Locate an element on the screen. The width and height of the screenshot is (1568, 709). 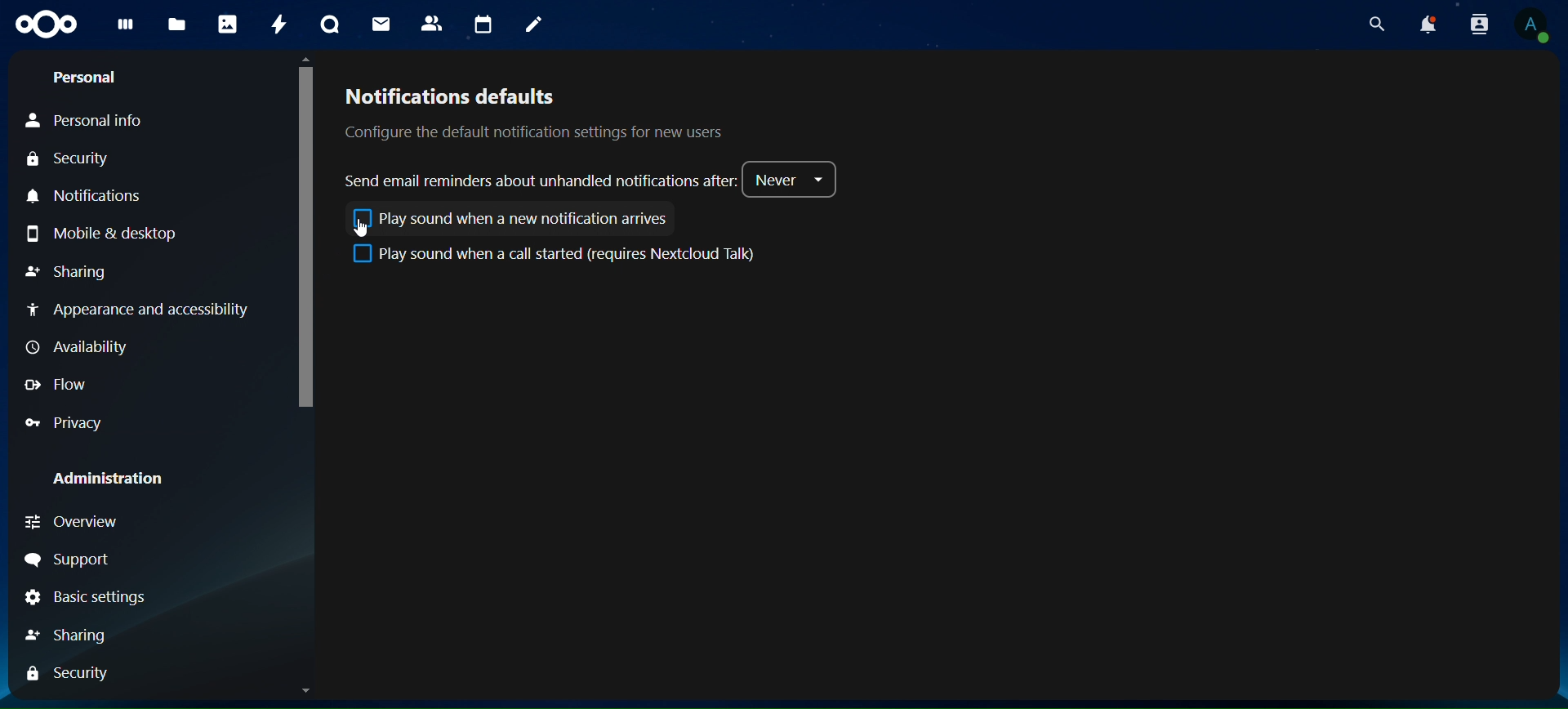
contacts is located at coordinates (431, 25).